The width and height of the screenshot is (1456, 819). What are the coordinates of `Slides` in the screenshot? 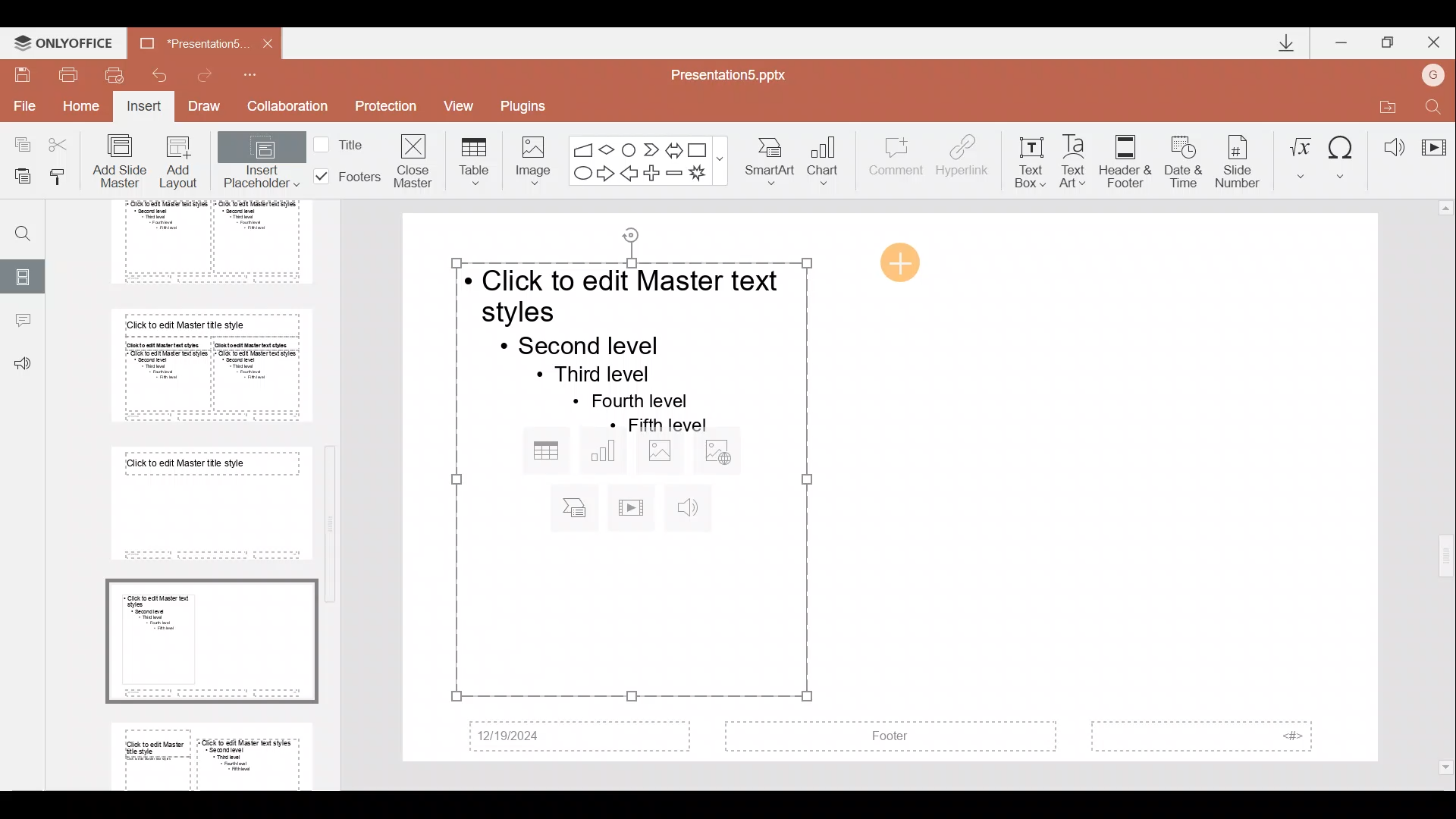 It's located at (24, 275).